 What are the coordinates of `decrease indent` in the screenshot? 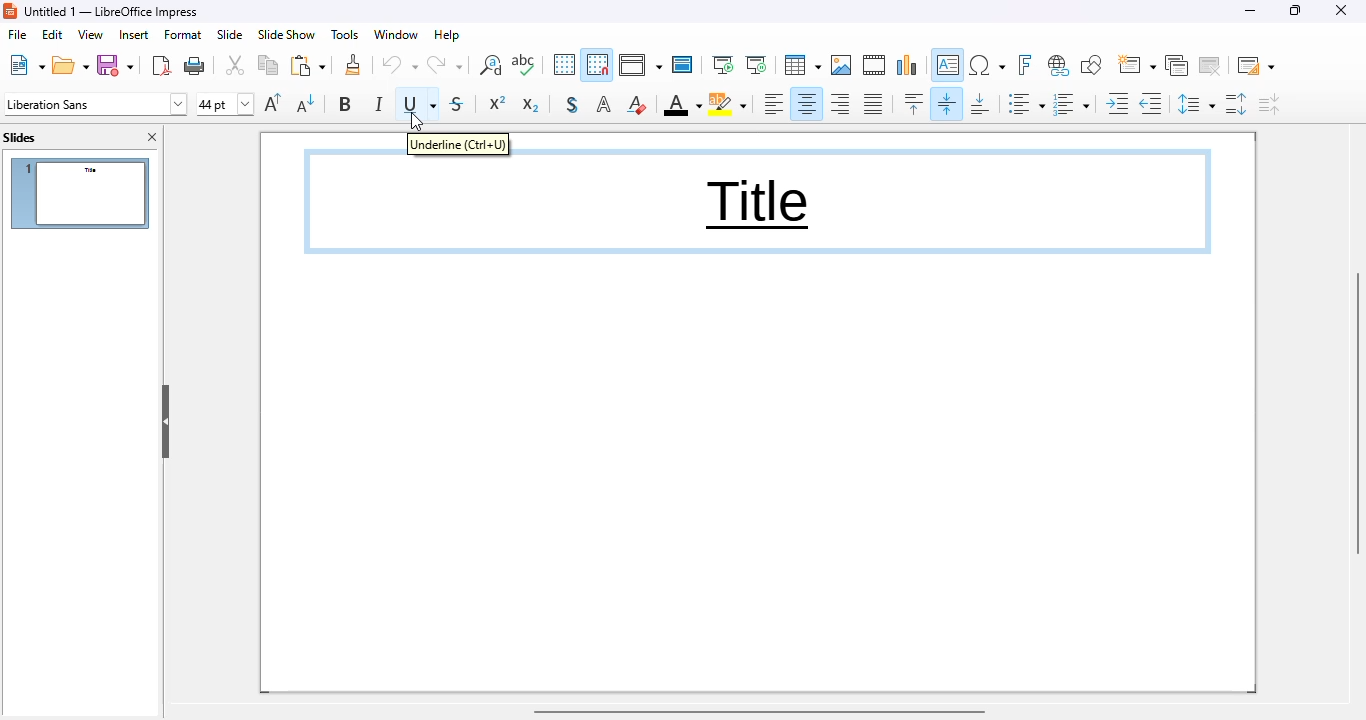 It's located at (1152, 104).